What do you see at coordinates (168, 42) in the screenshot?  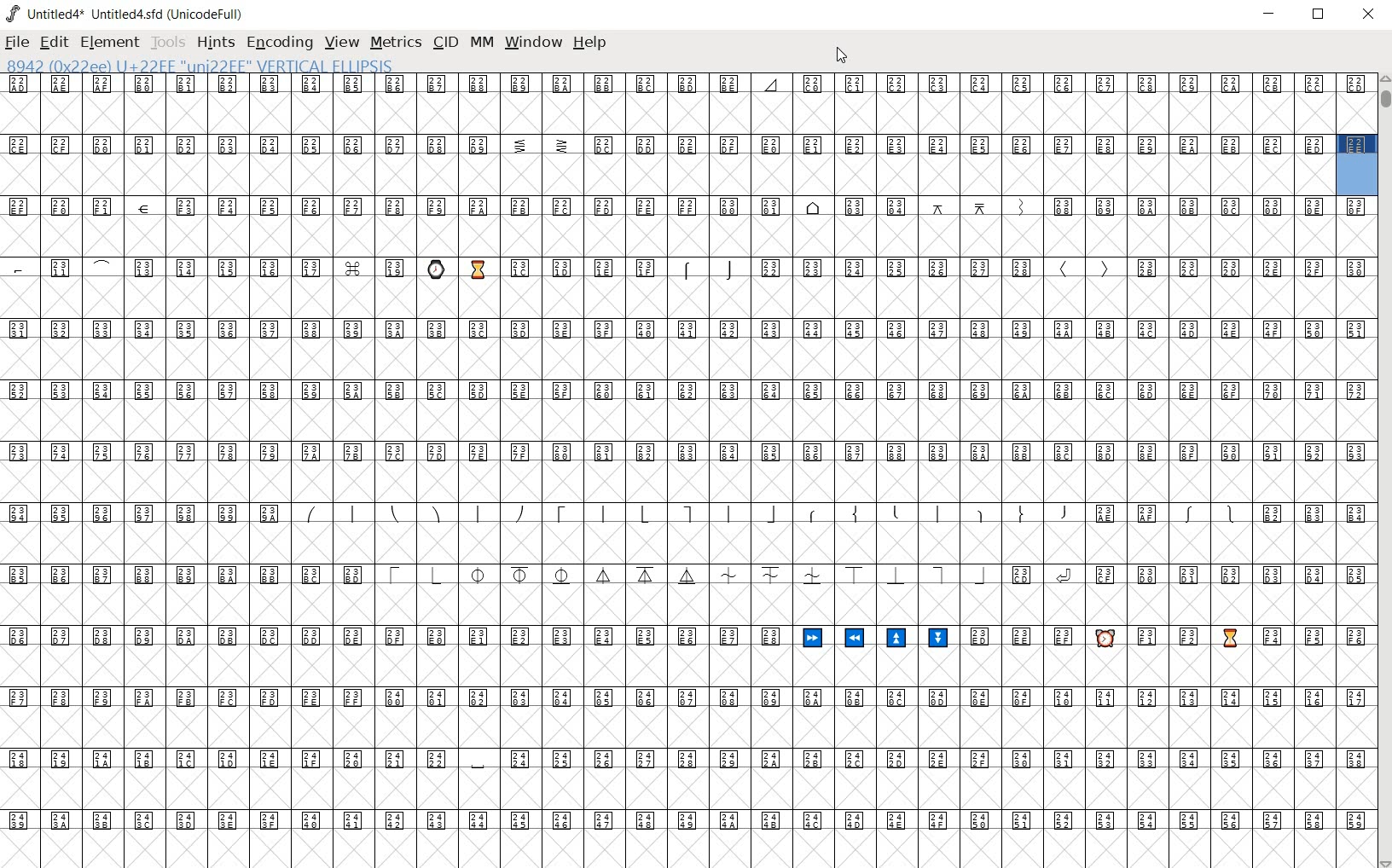 I see `TOOLS` at bounding box center [168, 42].